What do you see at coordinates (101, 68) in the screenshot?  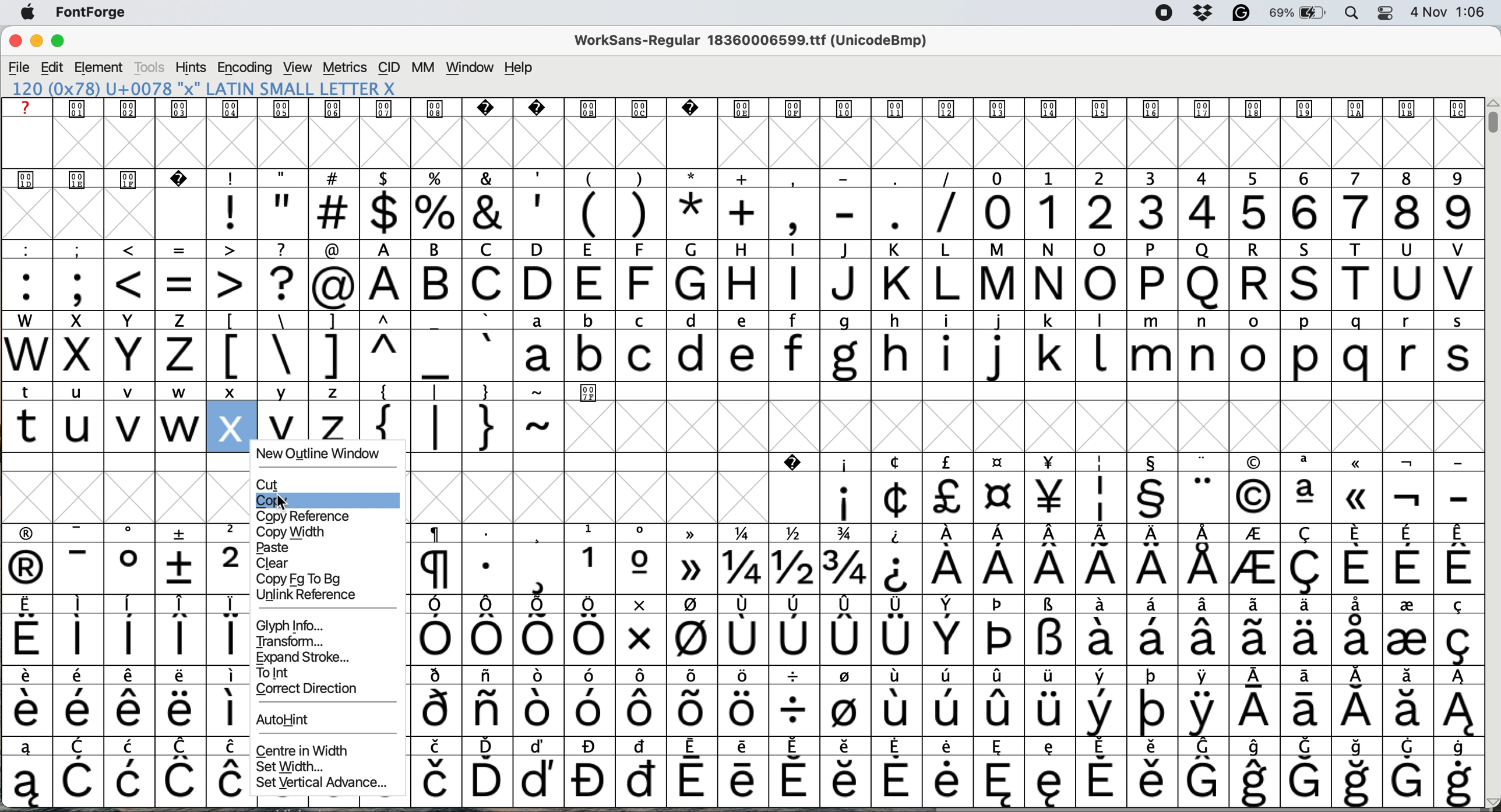 I see `element` at bounding box center [101, 68].